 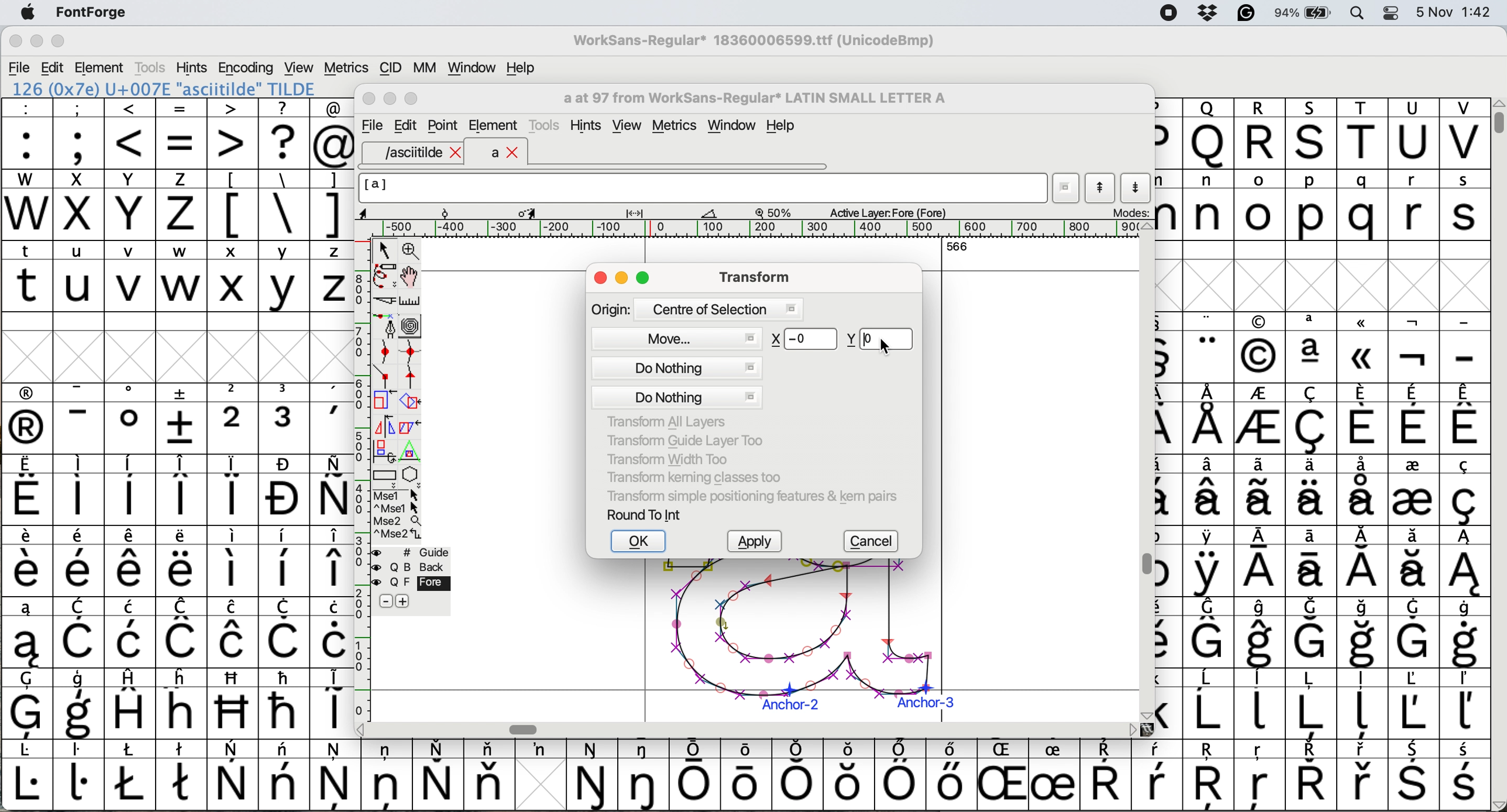 I want to click on window, so click(x=734, y=126).